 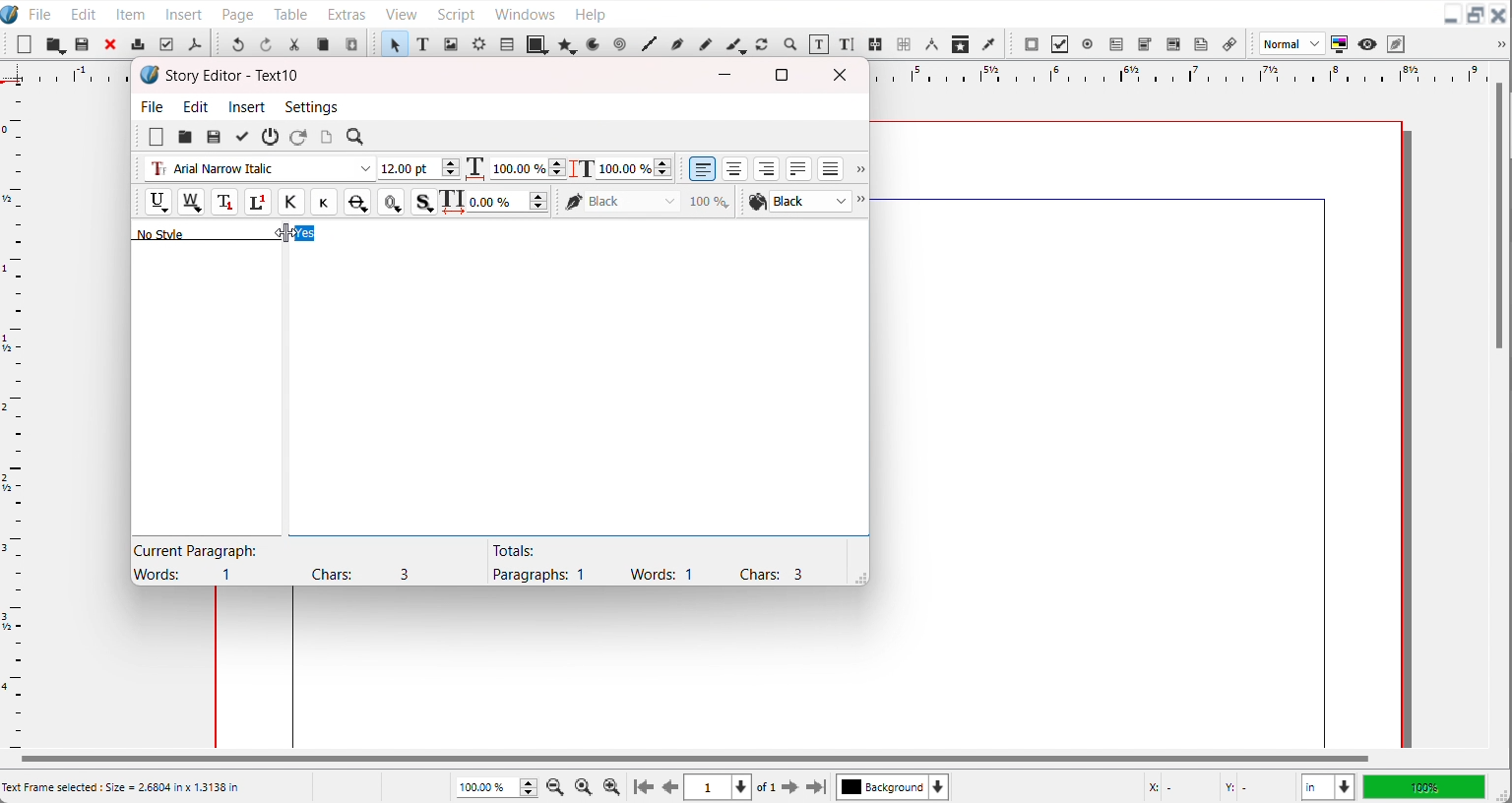 I want to click on Copy item Properties, so click(x=961, y=43).